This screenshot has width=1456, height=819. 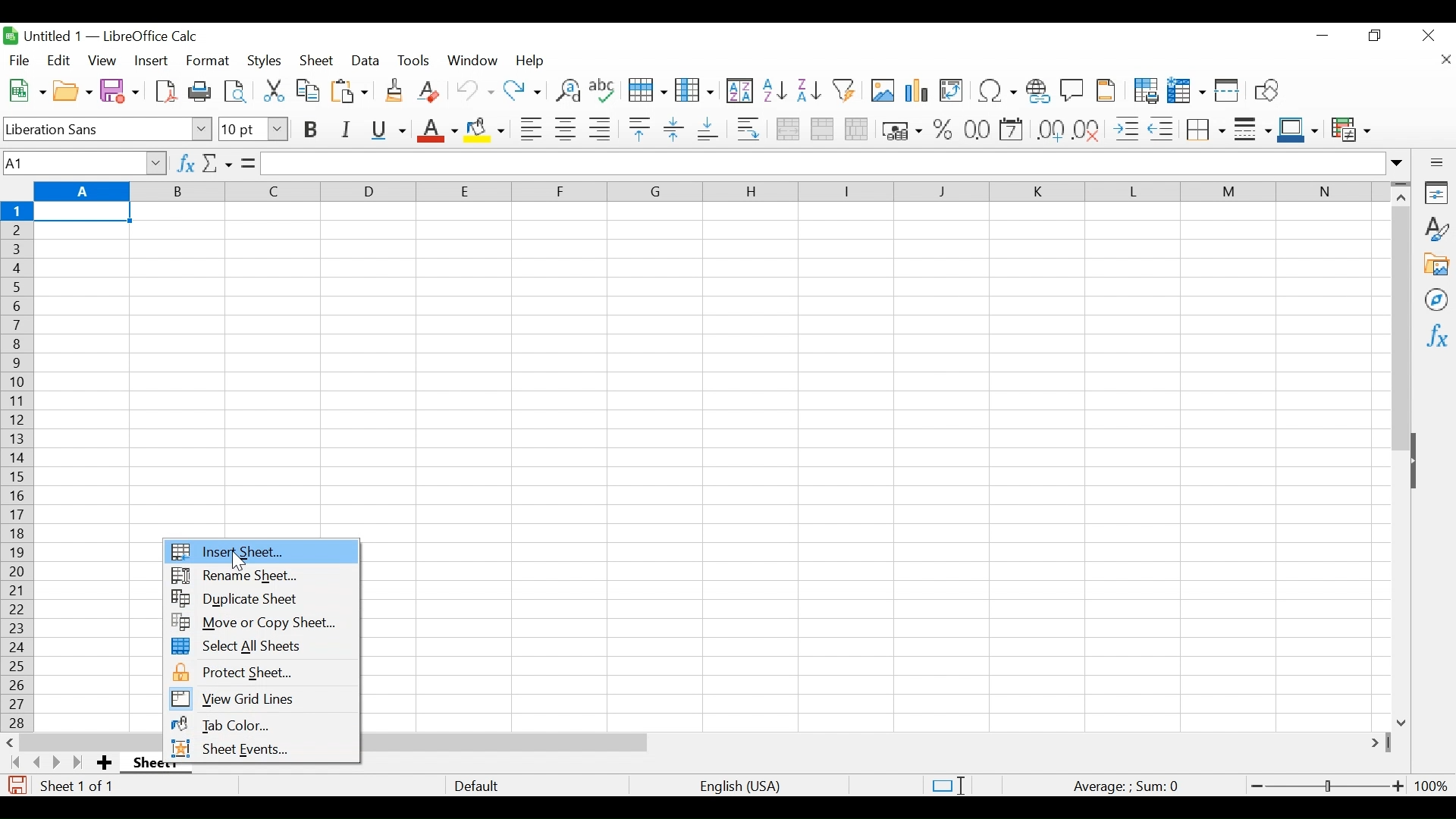 I want to click on Sort, so click(x=739, y=89).